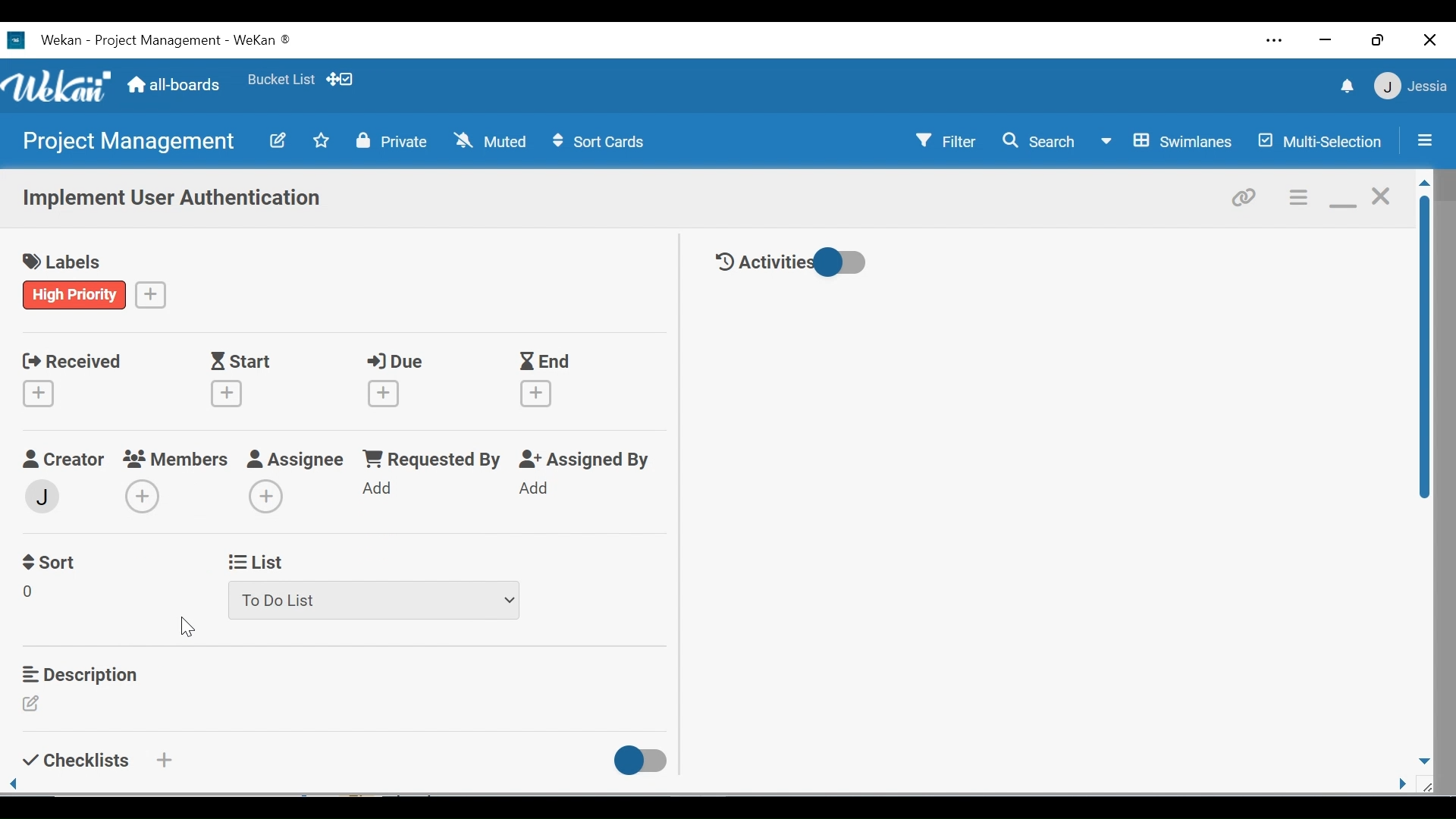 The height and width of the screenshot is (819, 1456). What do you see at coordinates (176, 458) in the screenshot?
I see `Members` at bounding box center [176, 458].